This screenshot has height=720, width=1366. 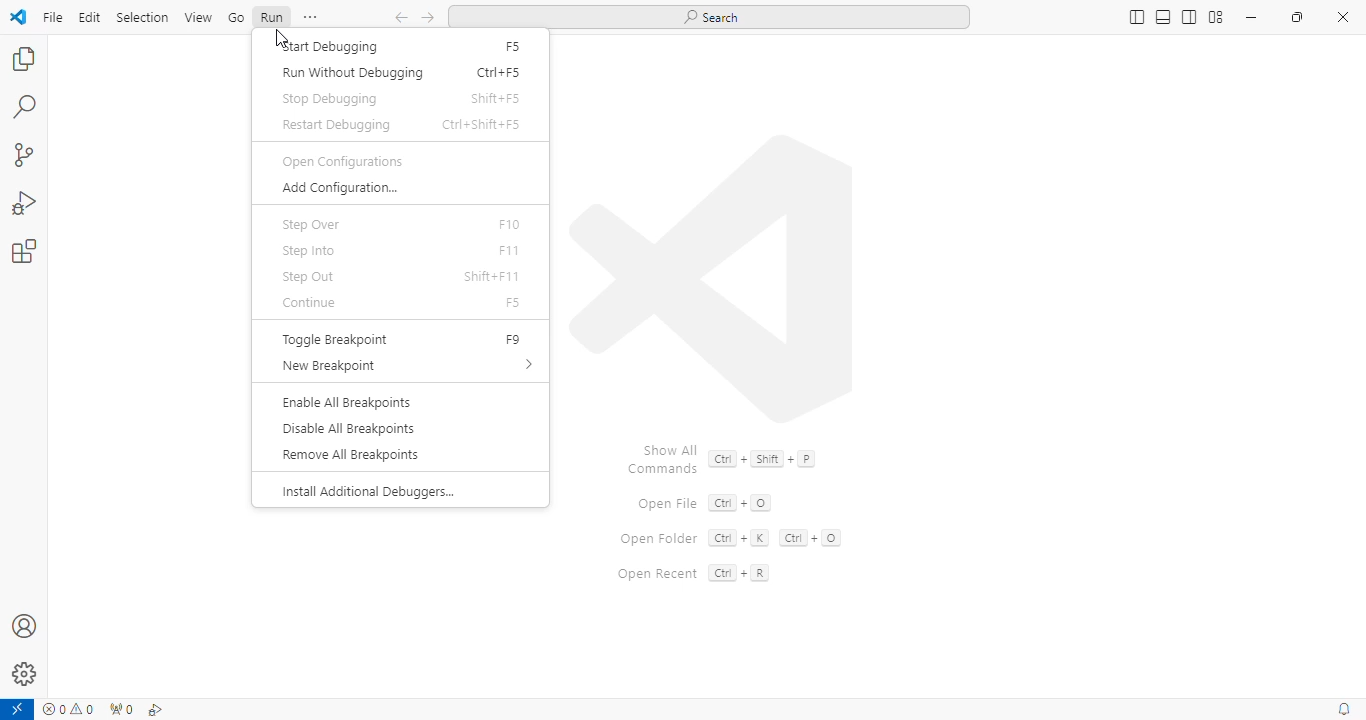 What do you see at coordinates (330, 98) in the screenshot?
I see `stop debugging` at bounding box center [330, 98].